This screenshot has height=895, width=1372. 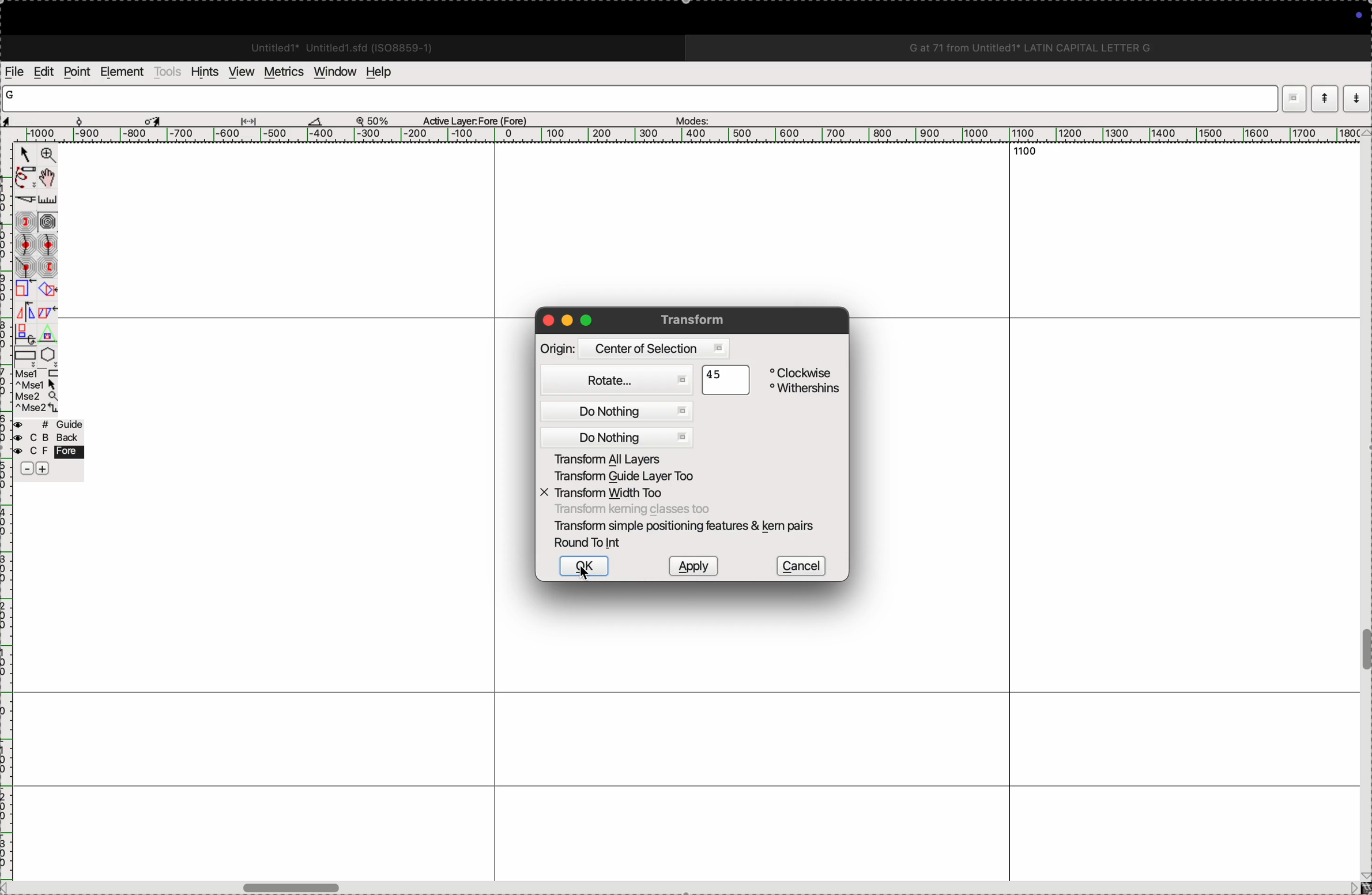 I want to click on 1100, so click(x=1028, y=154).